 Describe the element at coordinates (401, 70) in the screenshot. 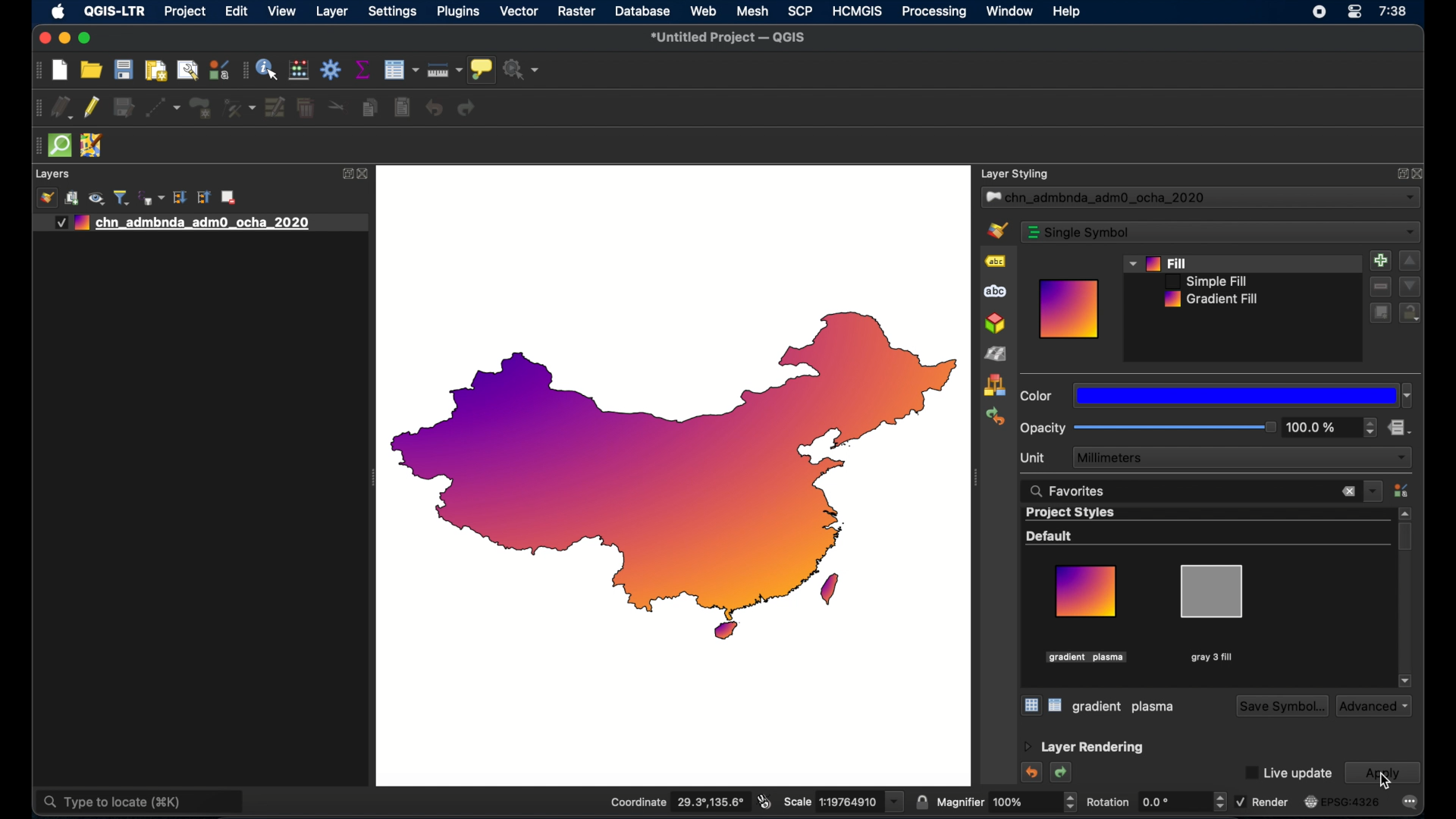

I see `open attribute table` at that location.